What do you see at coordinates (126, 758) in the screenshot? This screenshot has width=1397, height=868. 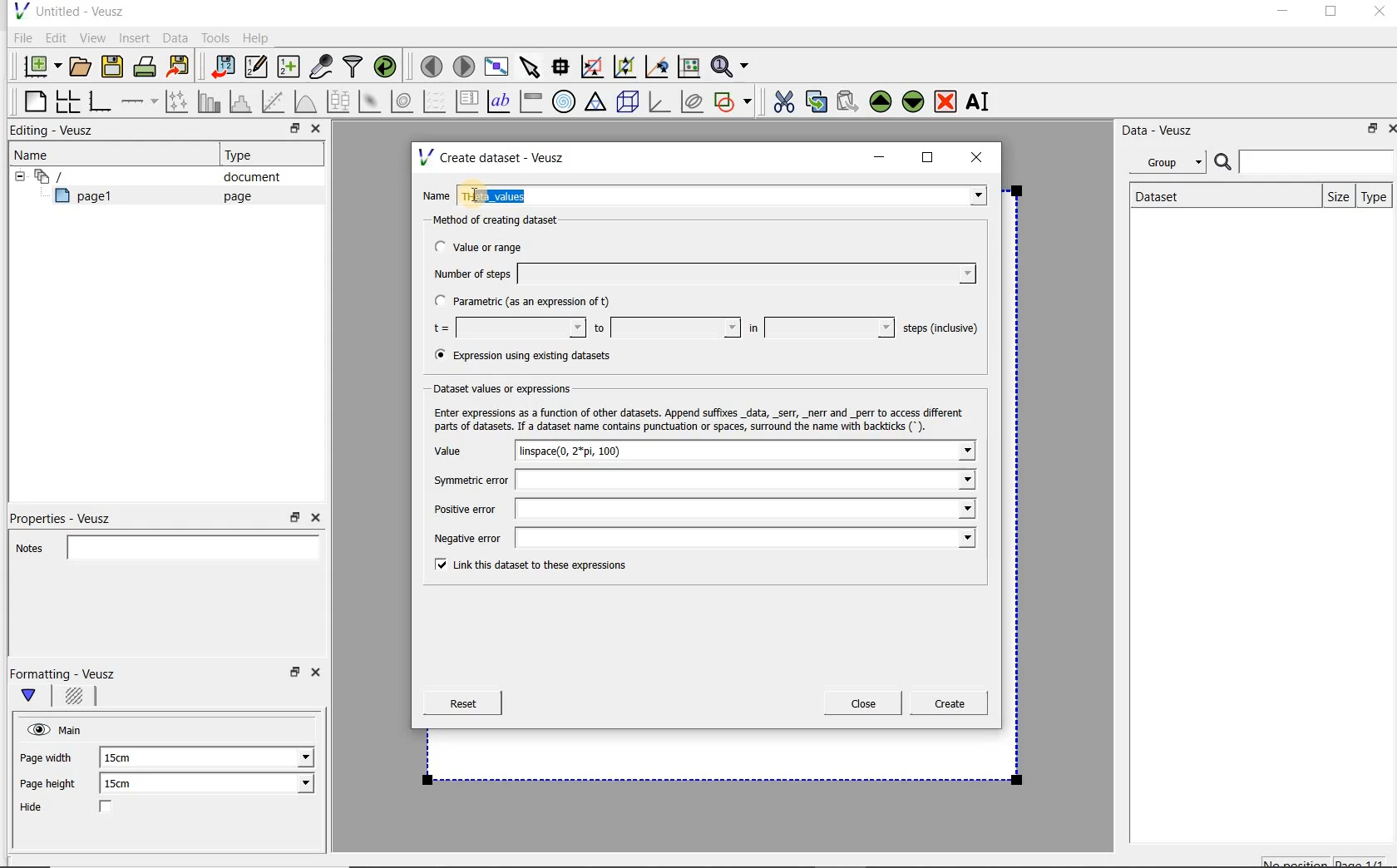 I see `15cm` at bounding box center [126, 758].